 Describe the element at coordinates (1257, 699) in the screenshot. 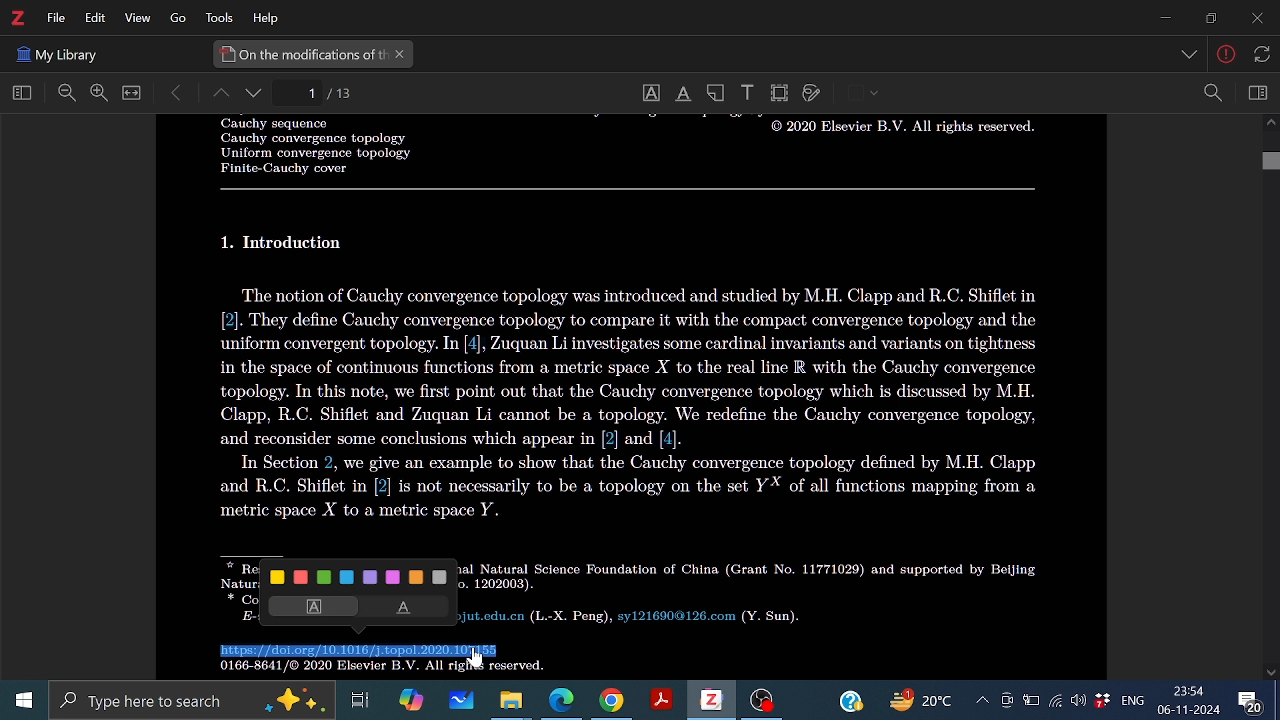

I see `Comment` at that location.